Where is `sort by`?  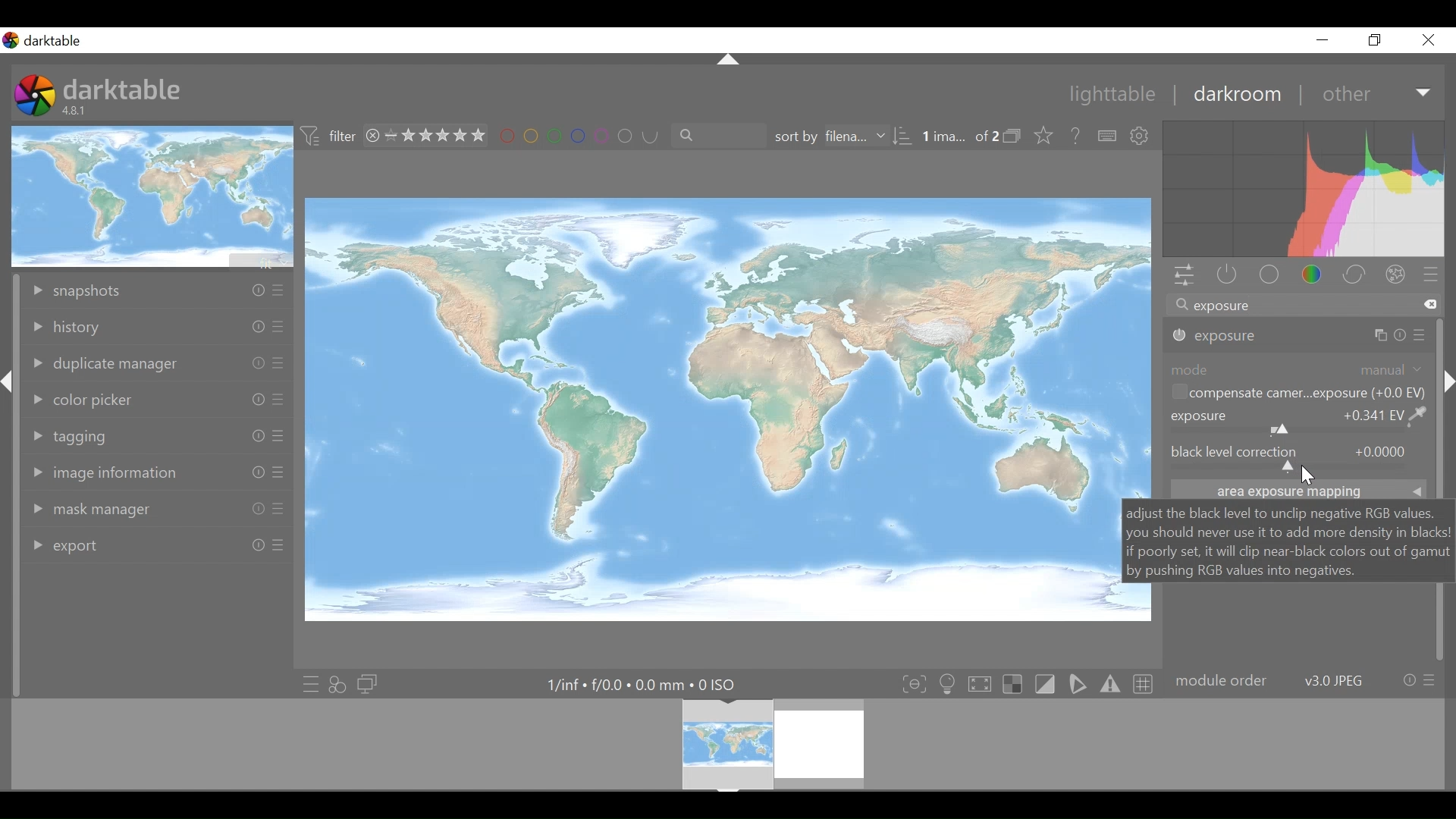
sort by is located at coordinates (843, 136).